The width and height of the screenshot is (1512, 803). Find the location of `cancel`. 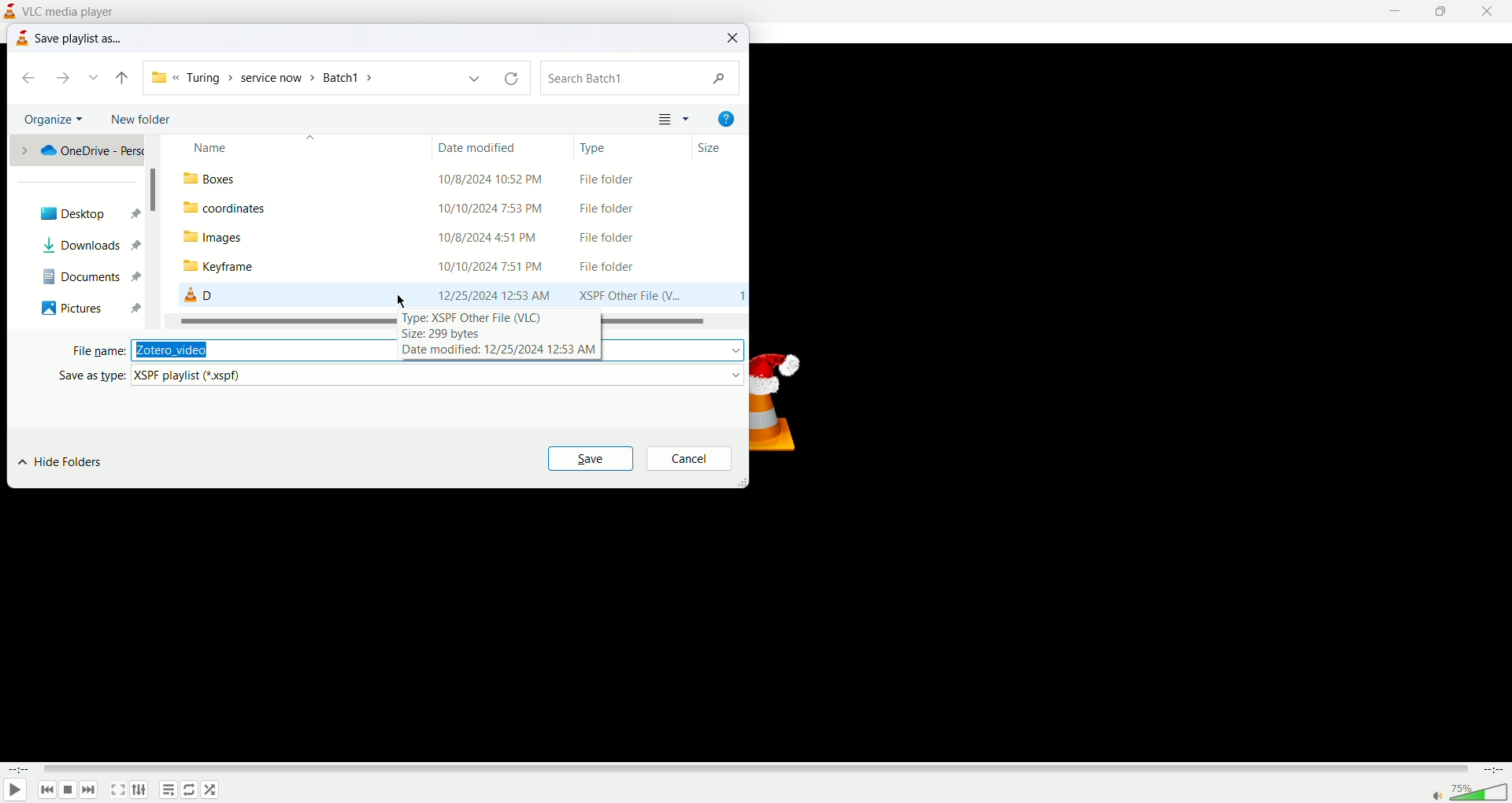

cancel is located at coordinates (690, 457).